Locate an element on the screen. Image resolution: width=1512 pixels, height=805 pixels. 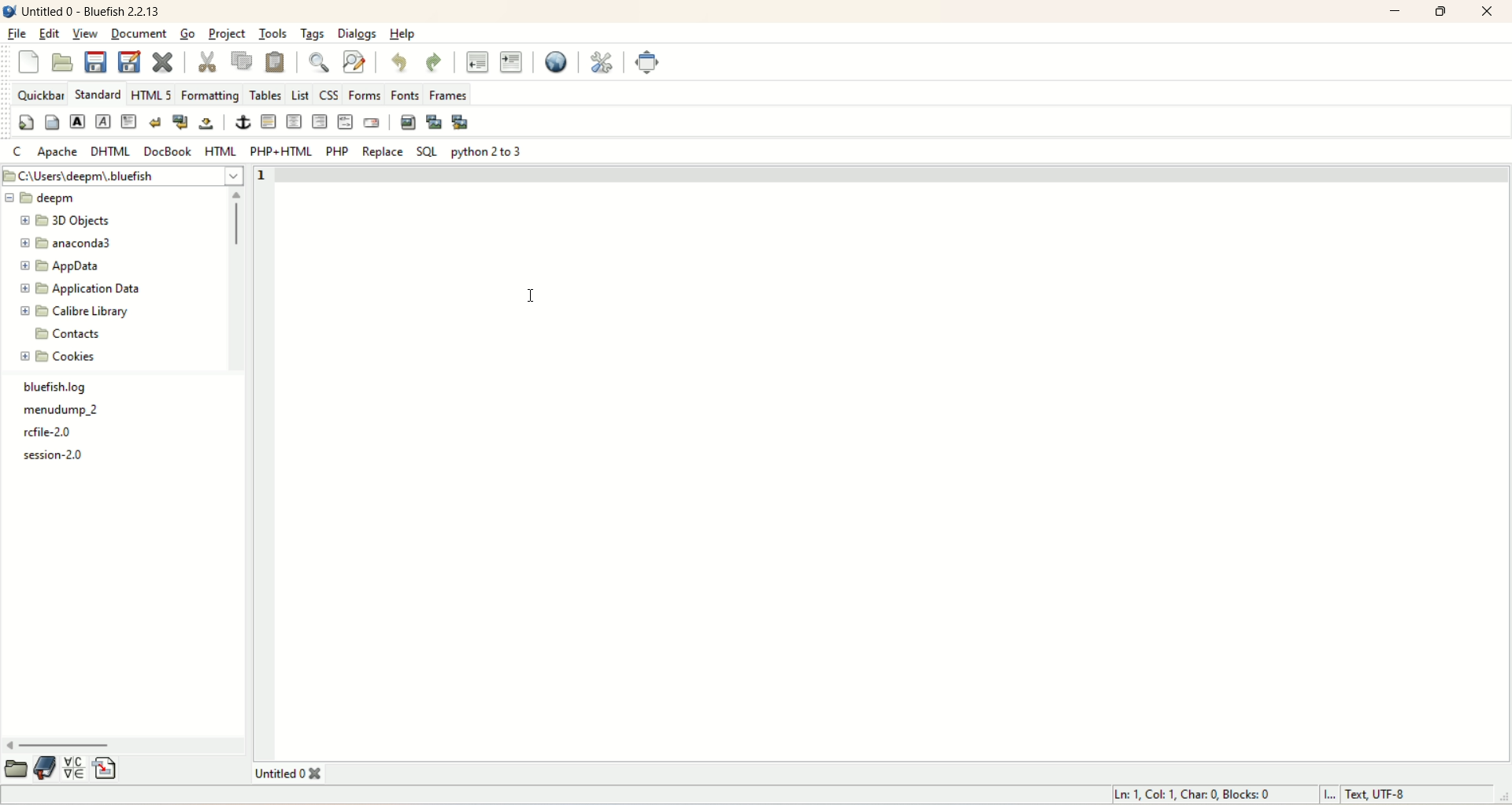
horizontal scroll bar is located at coordinates (124, 742).